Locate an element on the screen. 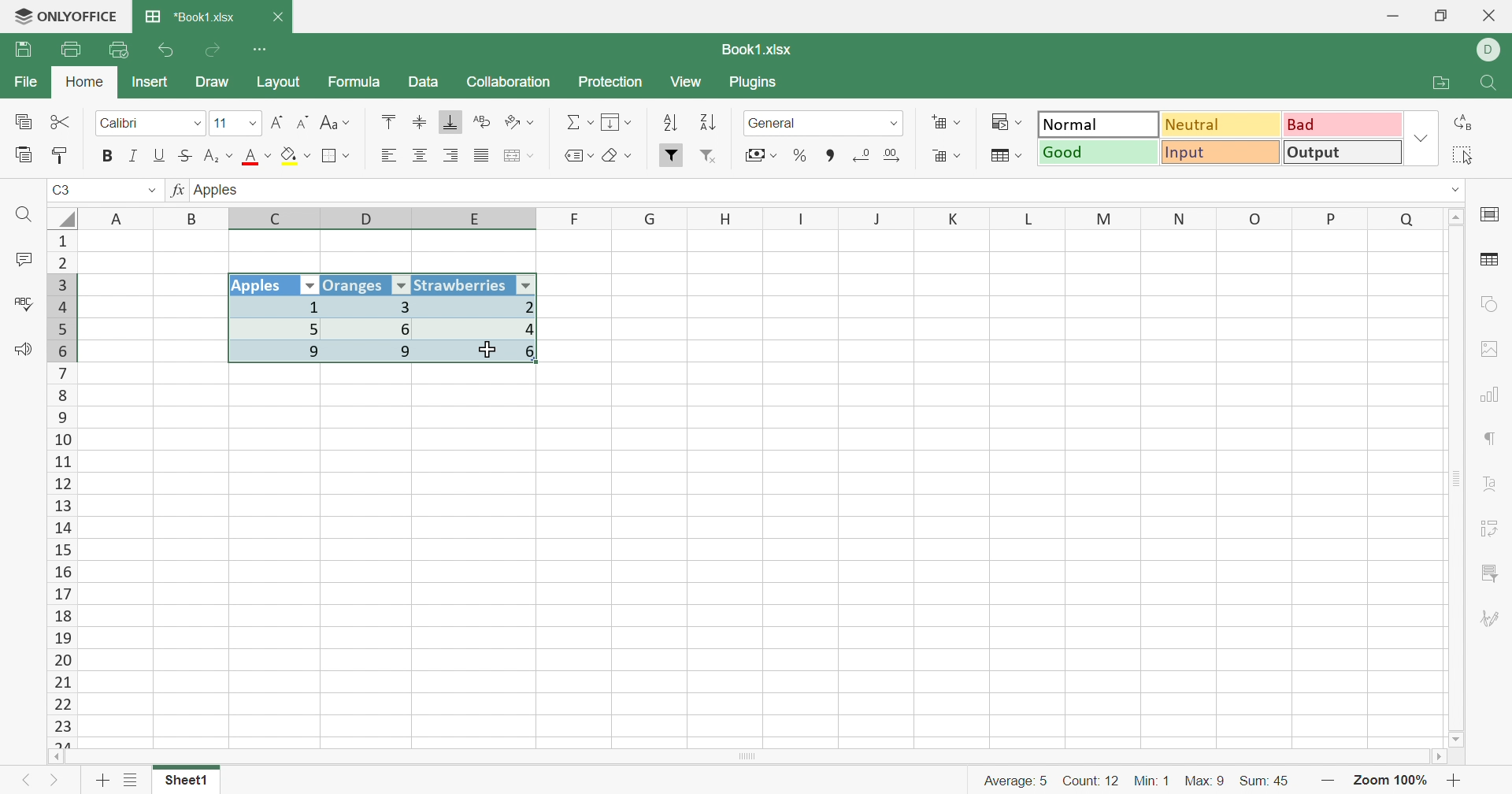 The width and height of the screenshot is (1512, 794). Min: 1 is located at coordinates (1154, 778).